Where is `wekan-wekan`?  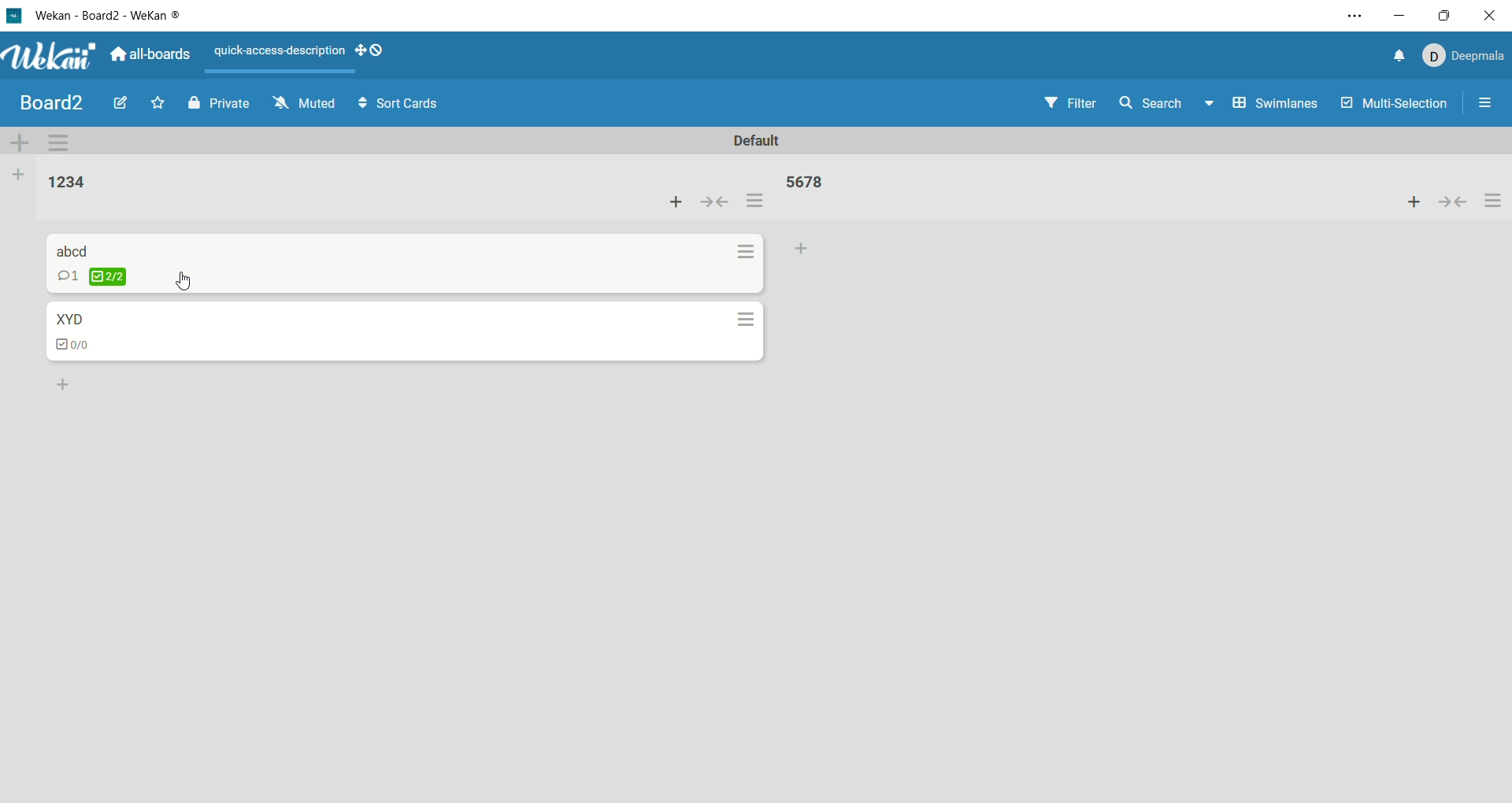
wekan-wekan is located at coordinates (108, 17).